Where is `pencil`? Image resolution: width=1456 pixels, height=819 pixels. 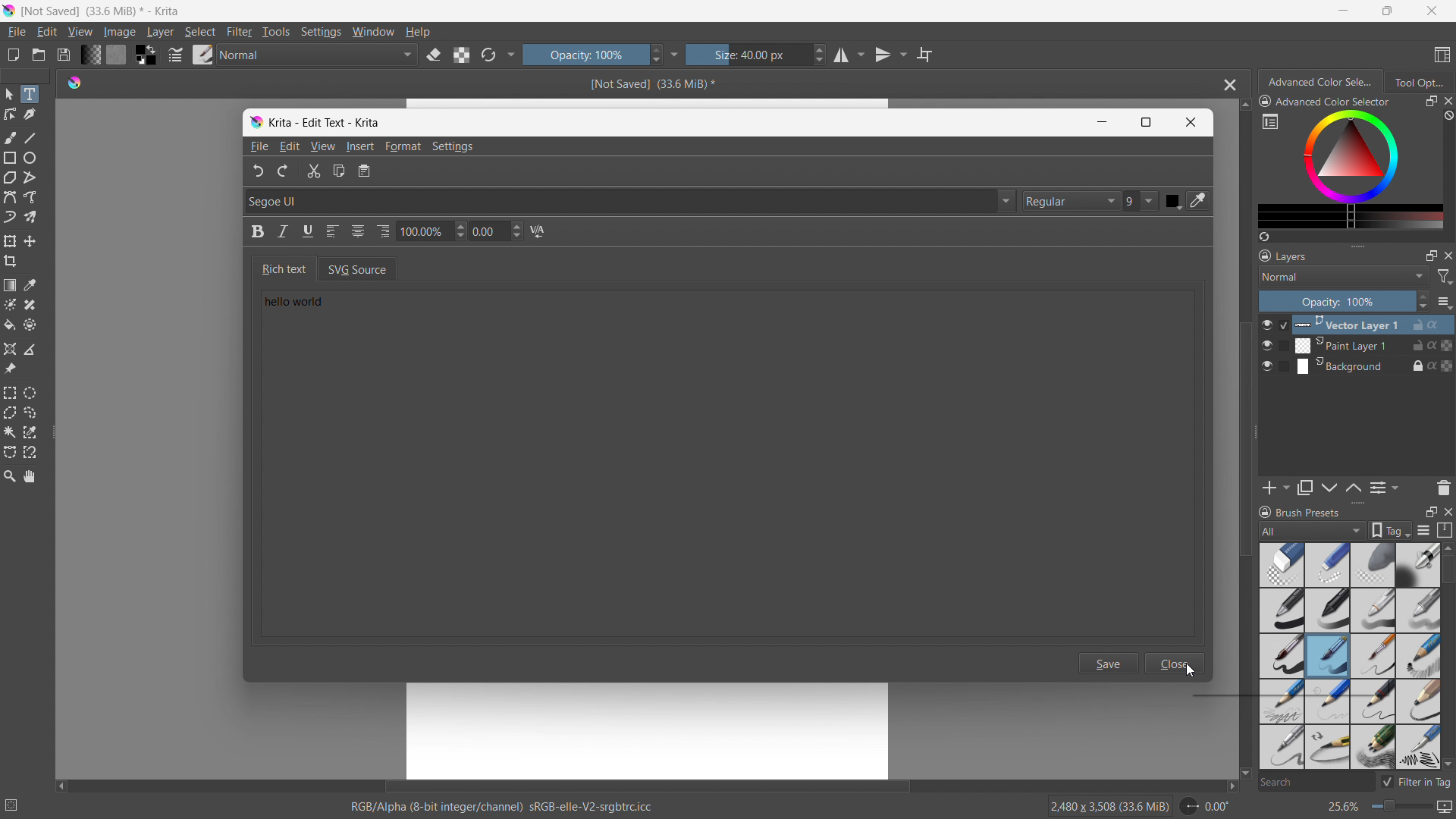
pencil is located at coordinates (1373, 610).